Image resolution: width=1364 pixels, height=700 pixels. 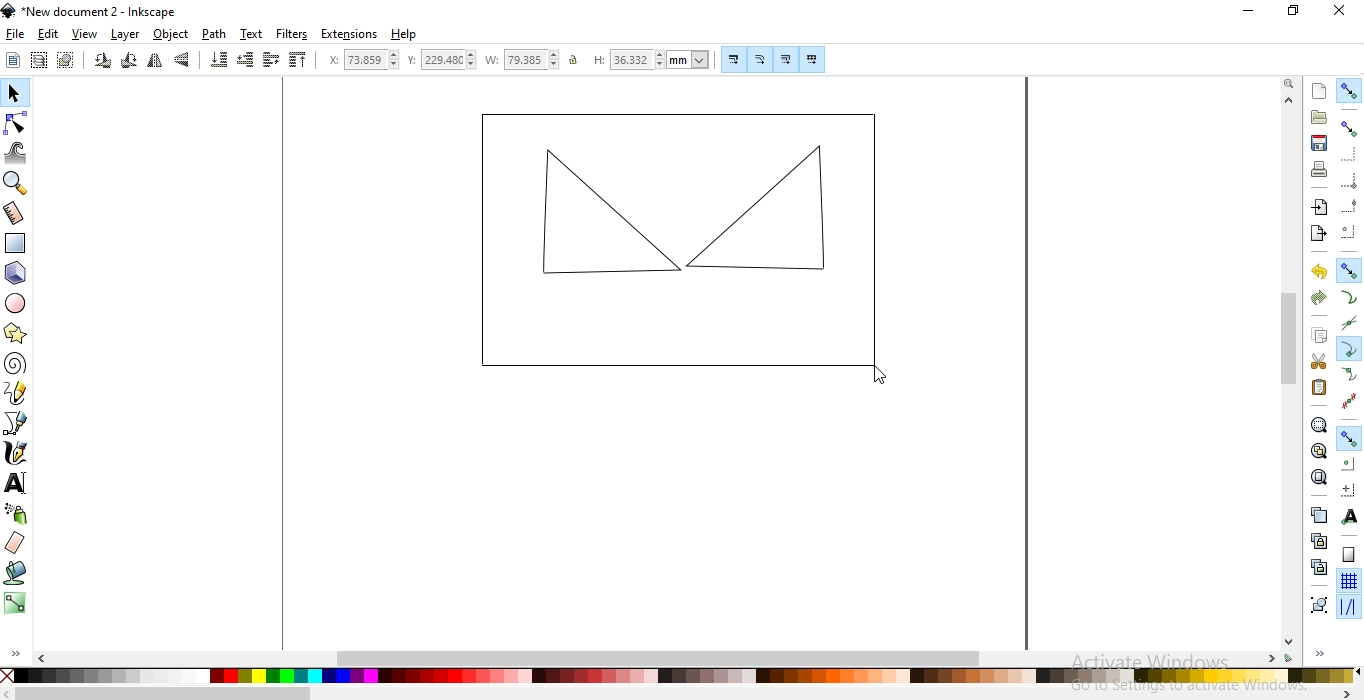 I want to click on lower selection to bottom, so click(x=218, y=62).